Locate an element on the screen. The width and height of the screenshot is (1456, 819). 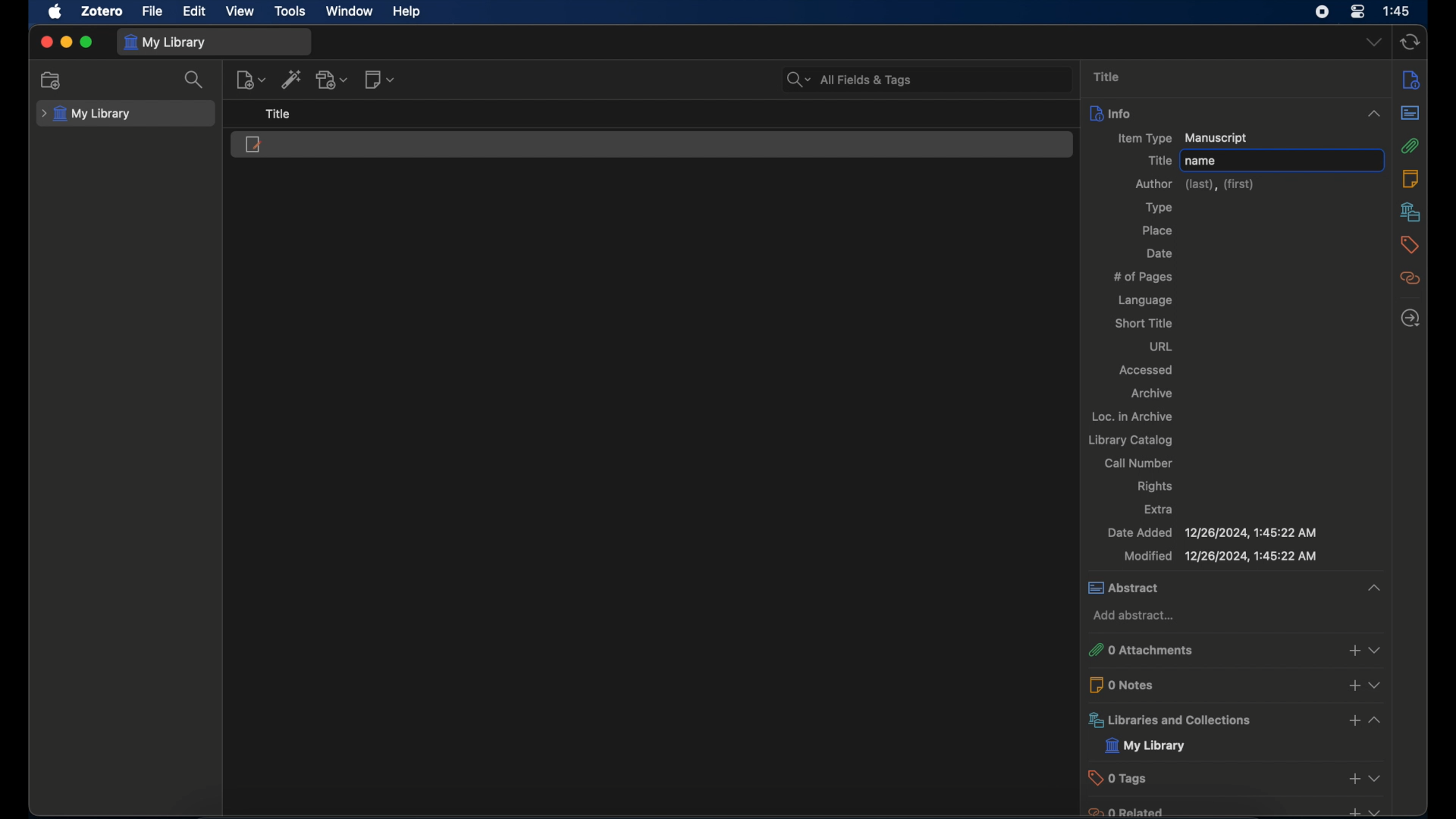
place is located at coordinates (1157, 230).